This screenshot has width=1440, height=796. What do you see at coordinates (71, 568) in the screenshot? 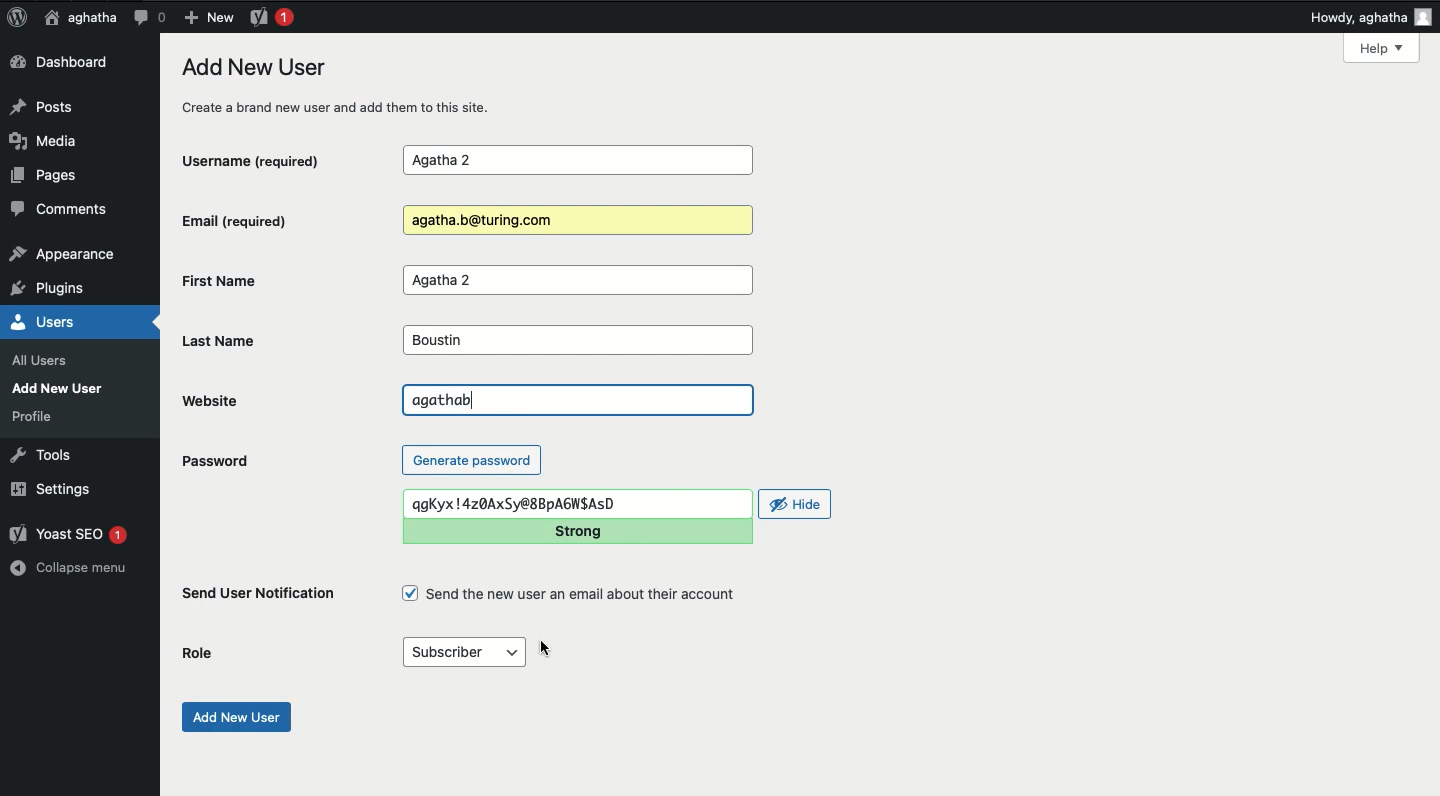
I see `Collapse menu` at bounding box center [71, 568].